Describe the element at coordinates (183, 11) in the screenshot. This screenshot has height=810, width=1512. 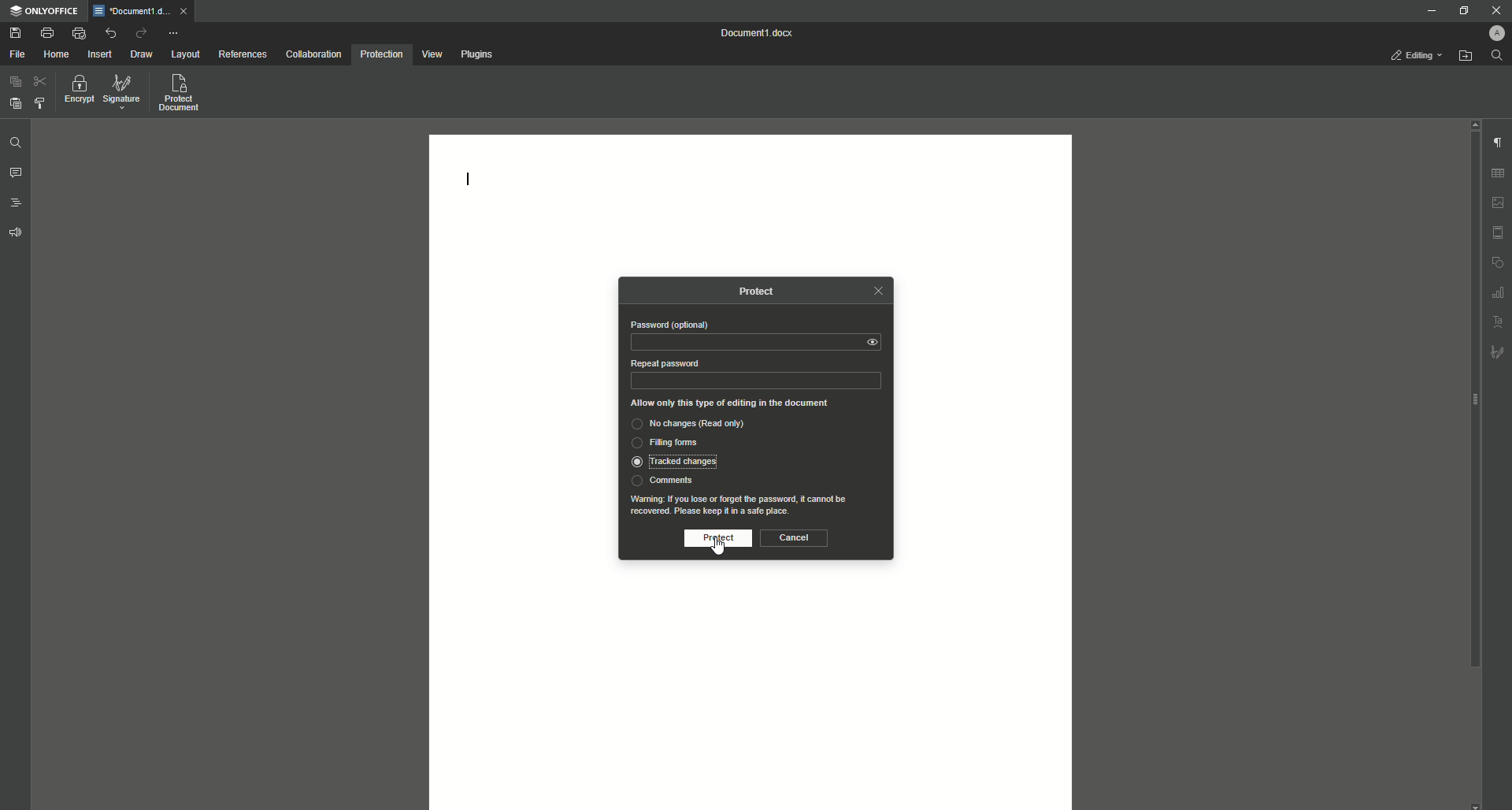
I see `close` at that location.